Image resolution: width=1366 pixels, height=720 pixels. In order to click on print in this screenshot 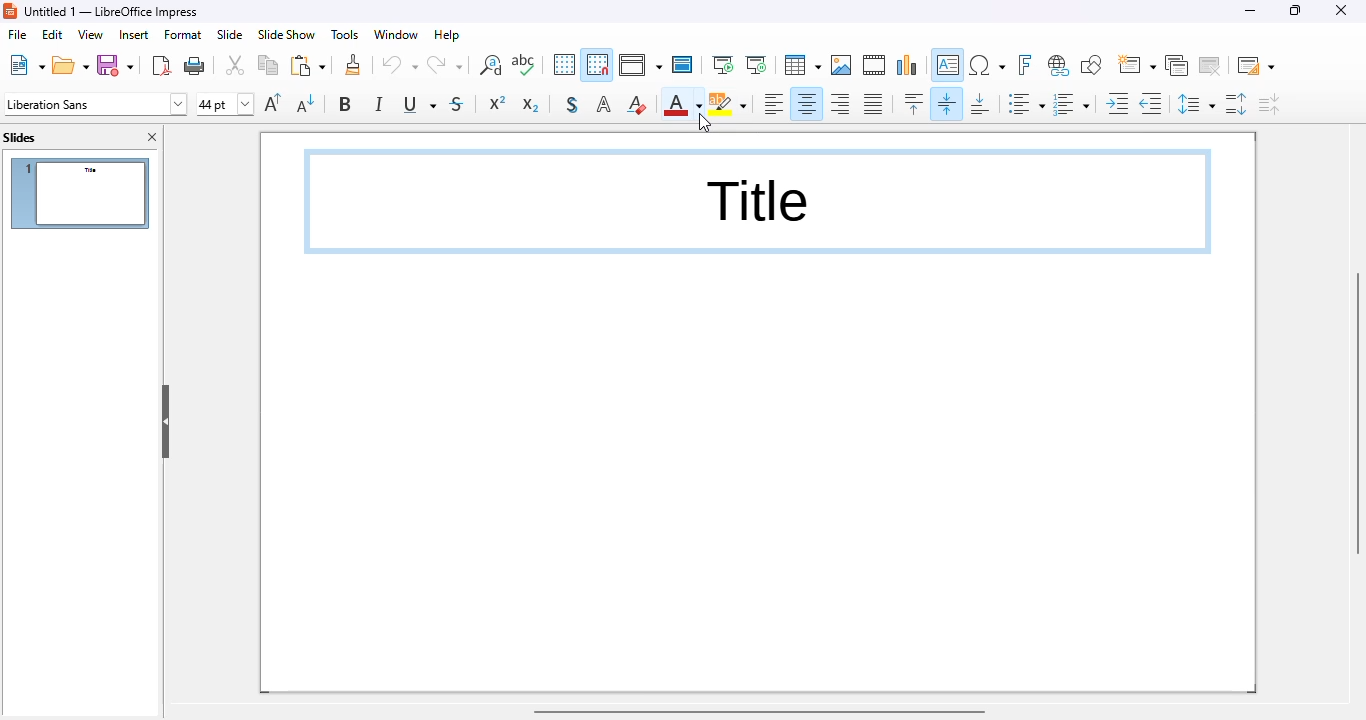, I will do `click(195, 65)`.